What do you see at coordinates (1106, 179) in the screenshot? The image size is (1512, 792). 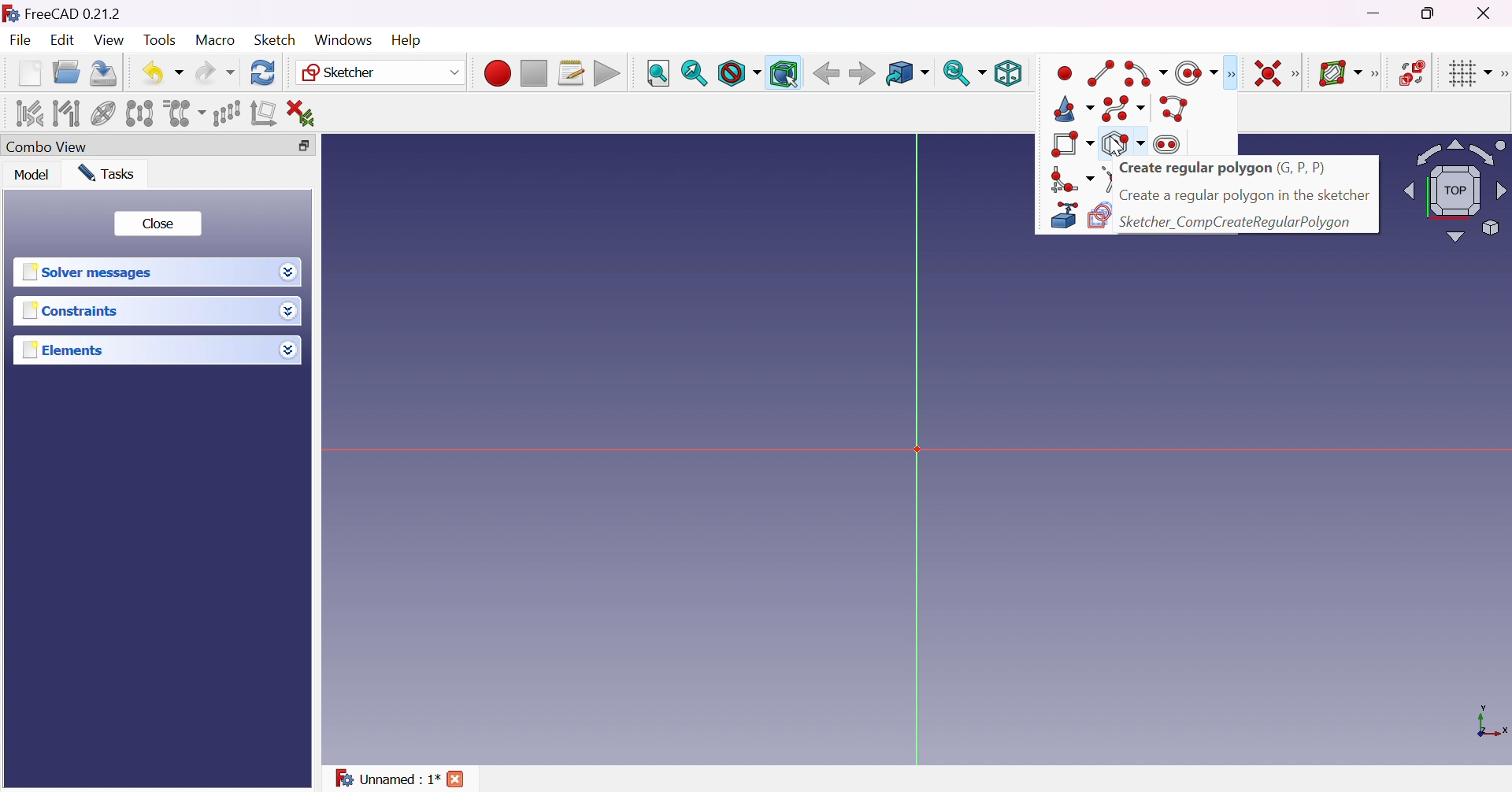 I see `Trim edge` at bounding box center [1106, 179].